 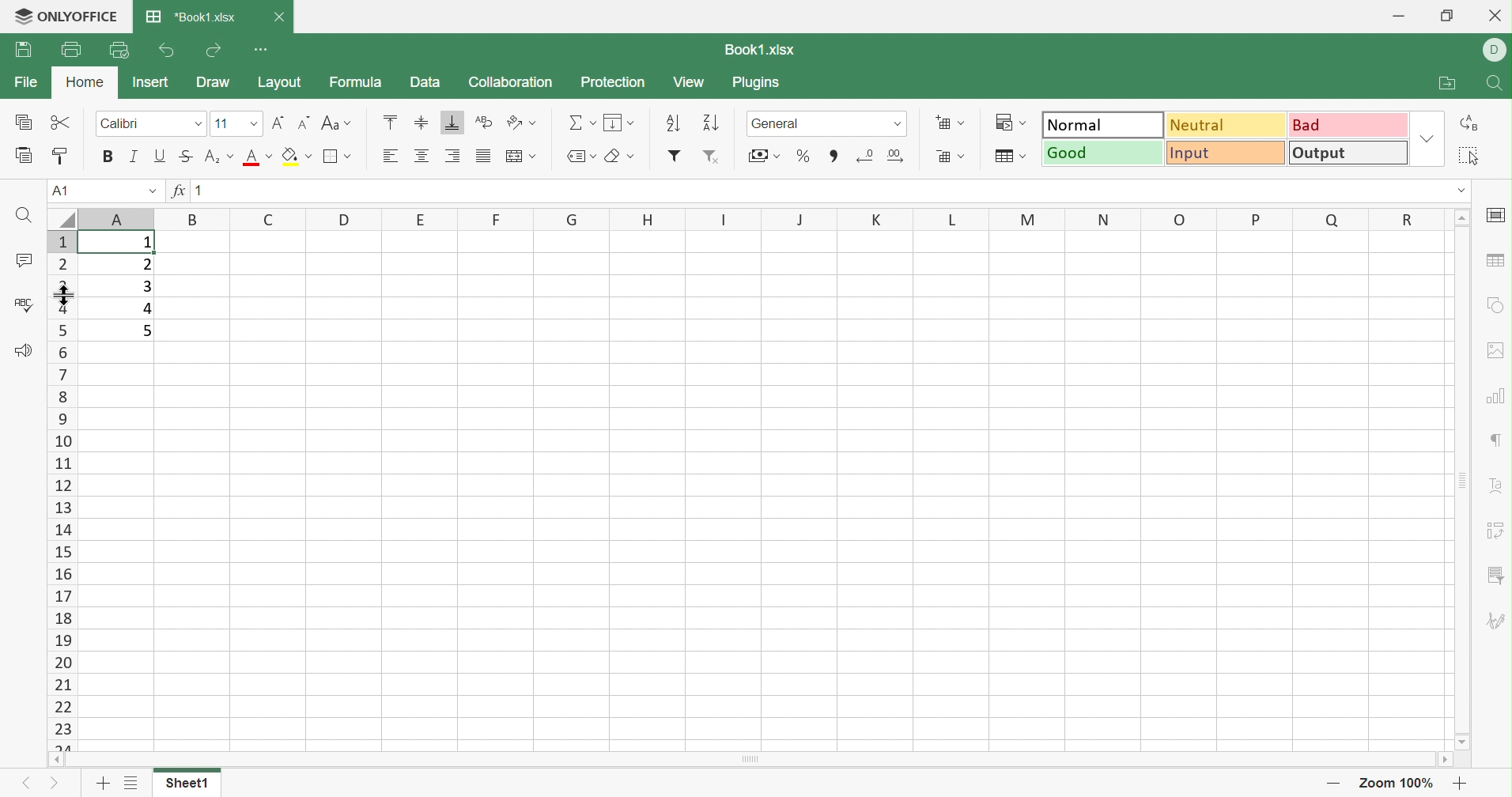 I want to click on Input, so click(x=1226, y=153).